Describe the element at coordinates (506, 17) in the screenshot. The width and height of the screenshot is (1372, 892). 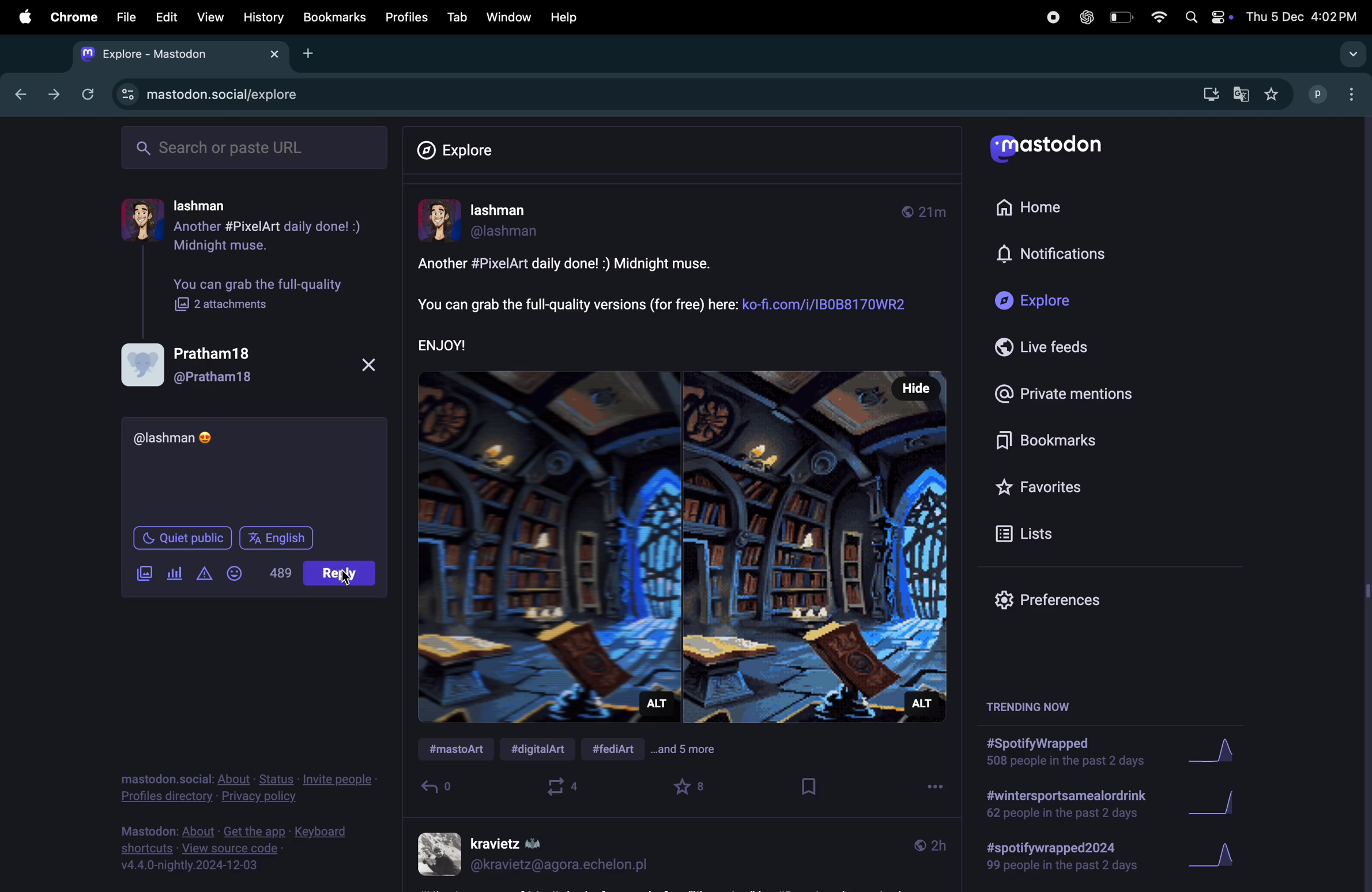
I see `Window` at that location.